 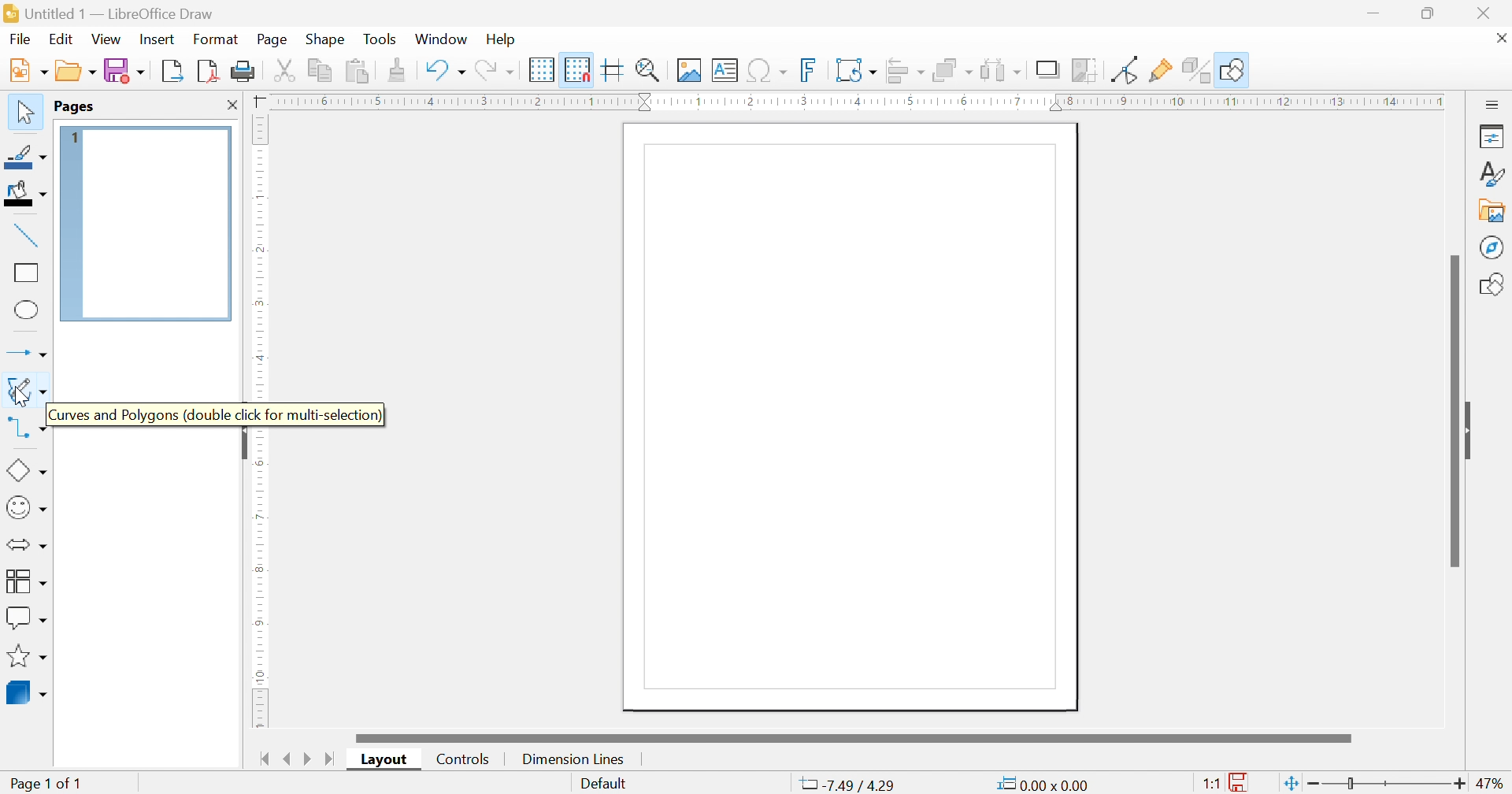 I want to click on connectors, so click(x=23, y=429).